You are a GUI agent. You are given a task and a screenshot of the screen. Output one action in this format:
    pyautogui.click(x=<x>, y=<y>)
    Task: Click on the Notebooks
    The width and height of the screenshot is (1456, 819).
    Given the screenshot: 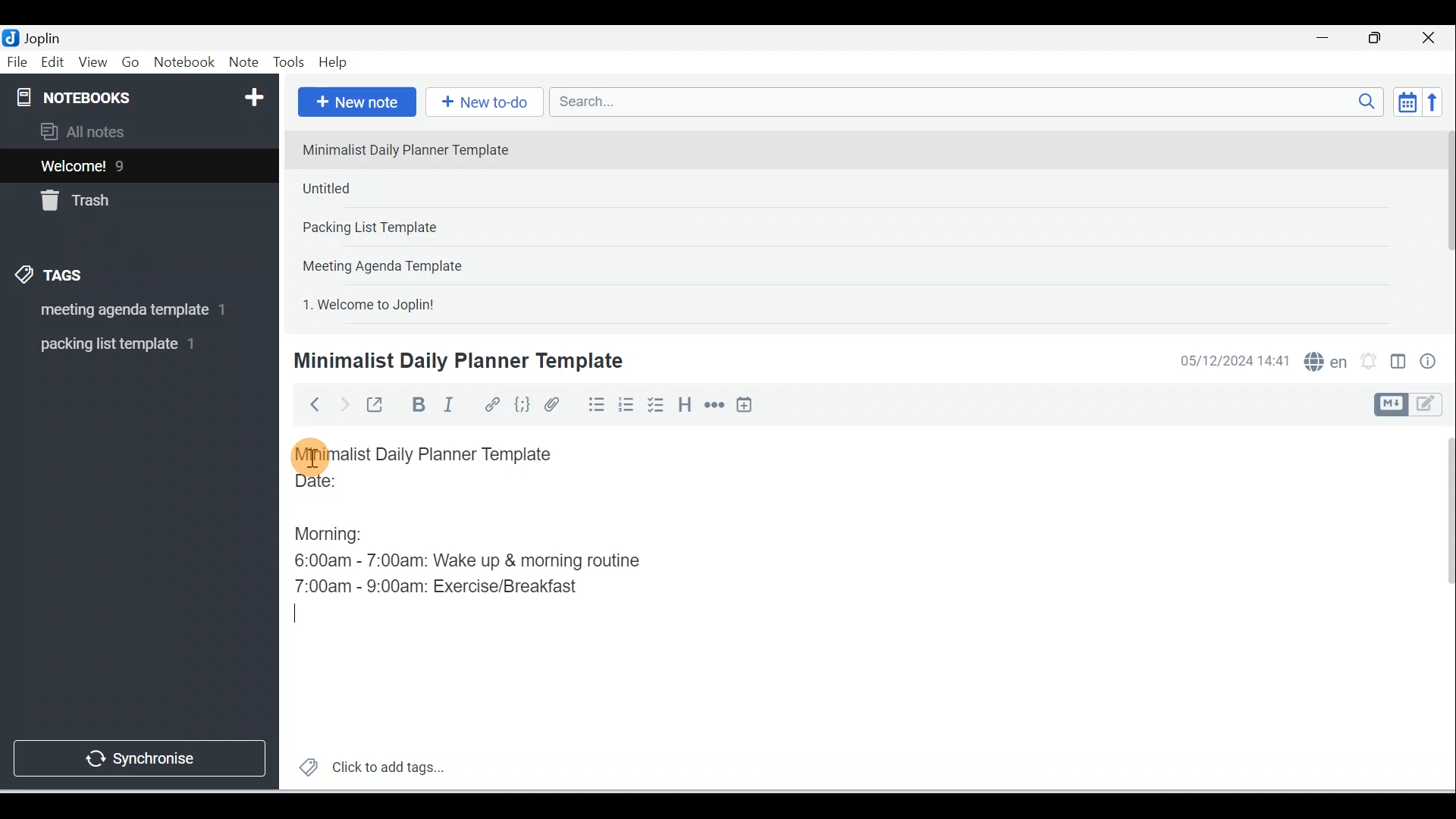 What is the action you would take?
    pyautogui.click(x=143, y=94)
    